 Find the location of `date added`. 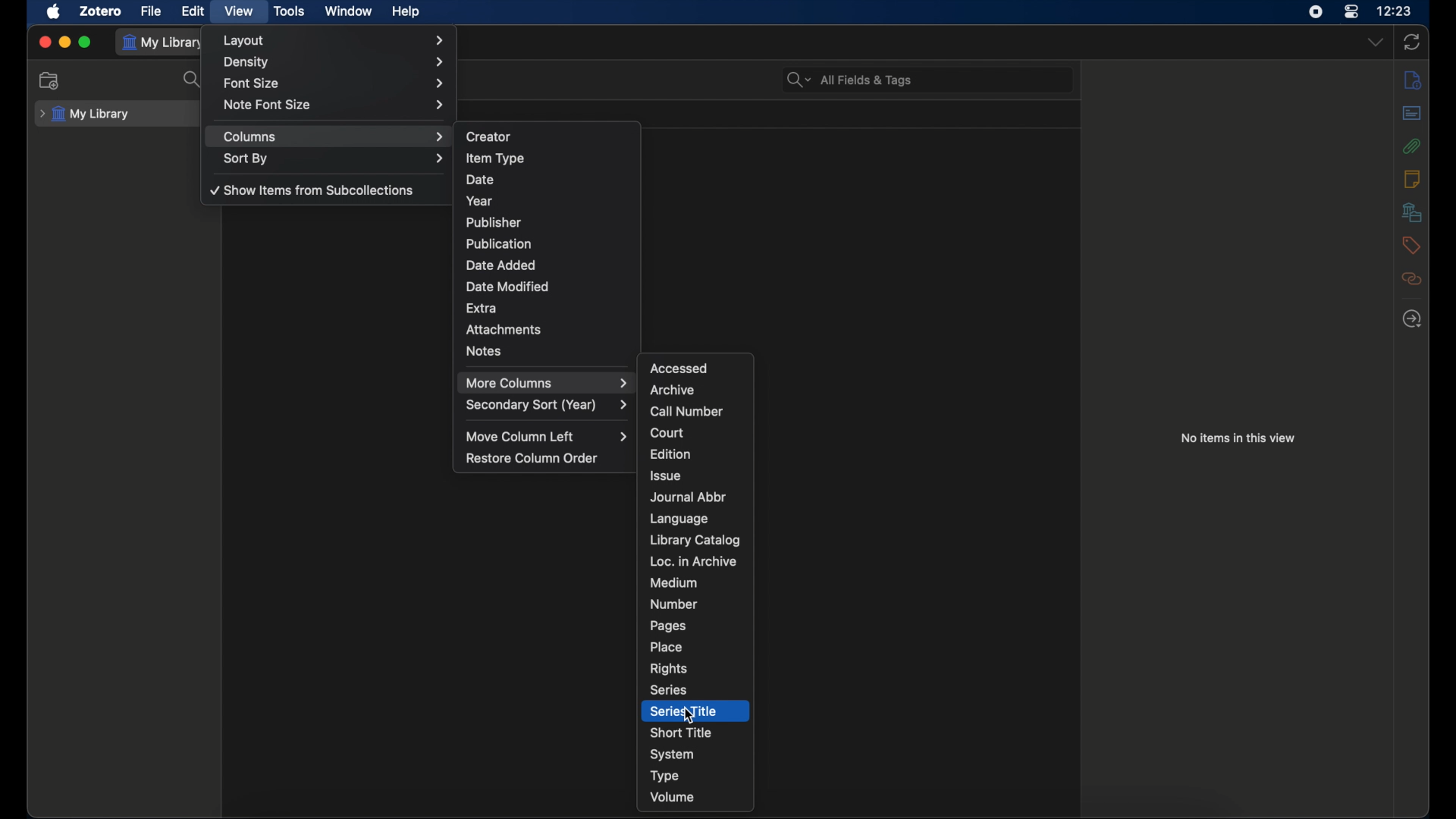

date added is located at coordinates (501, 264).